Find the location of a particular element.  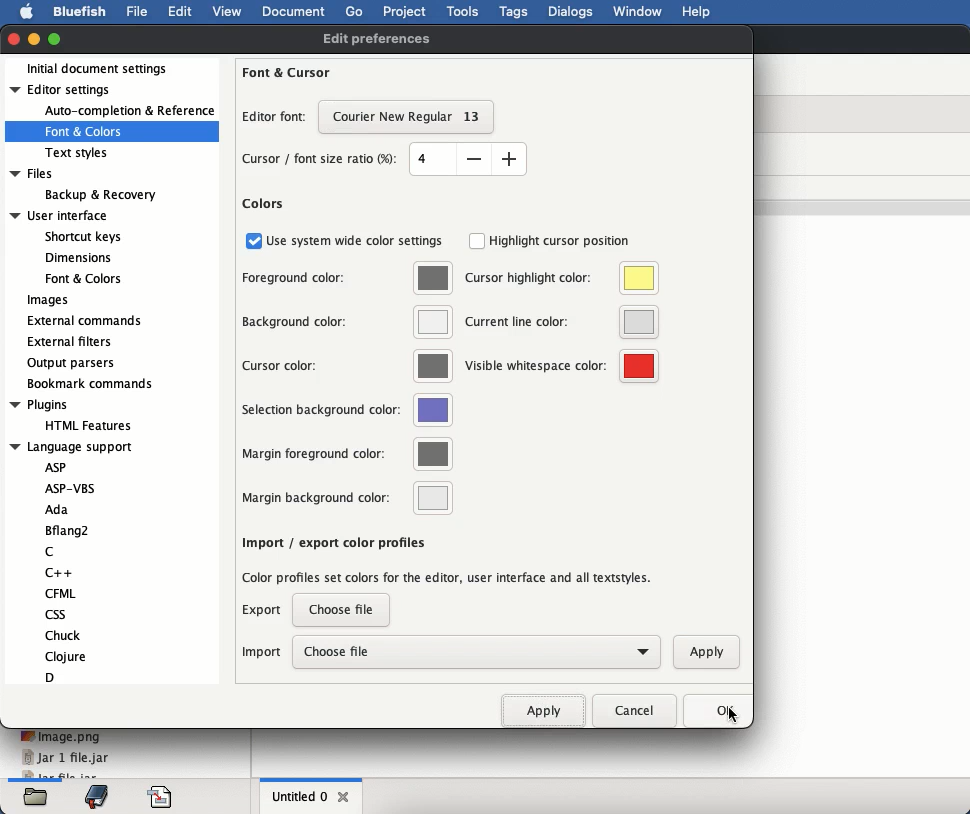

ok is located at coordinates (713, 712).